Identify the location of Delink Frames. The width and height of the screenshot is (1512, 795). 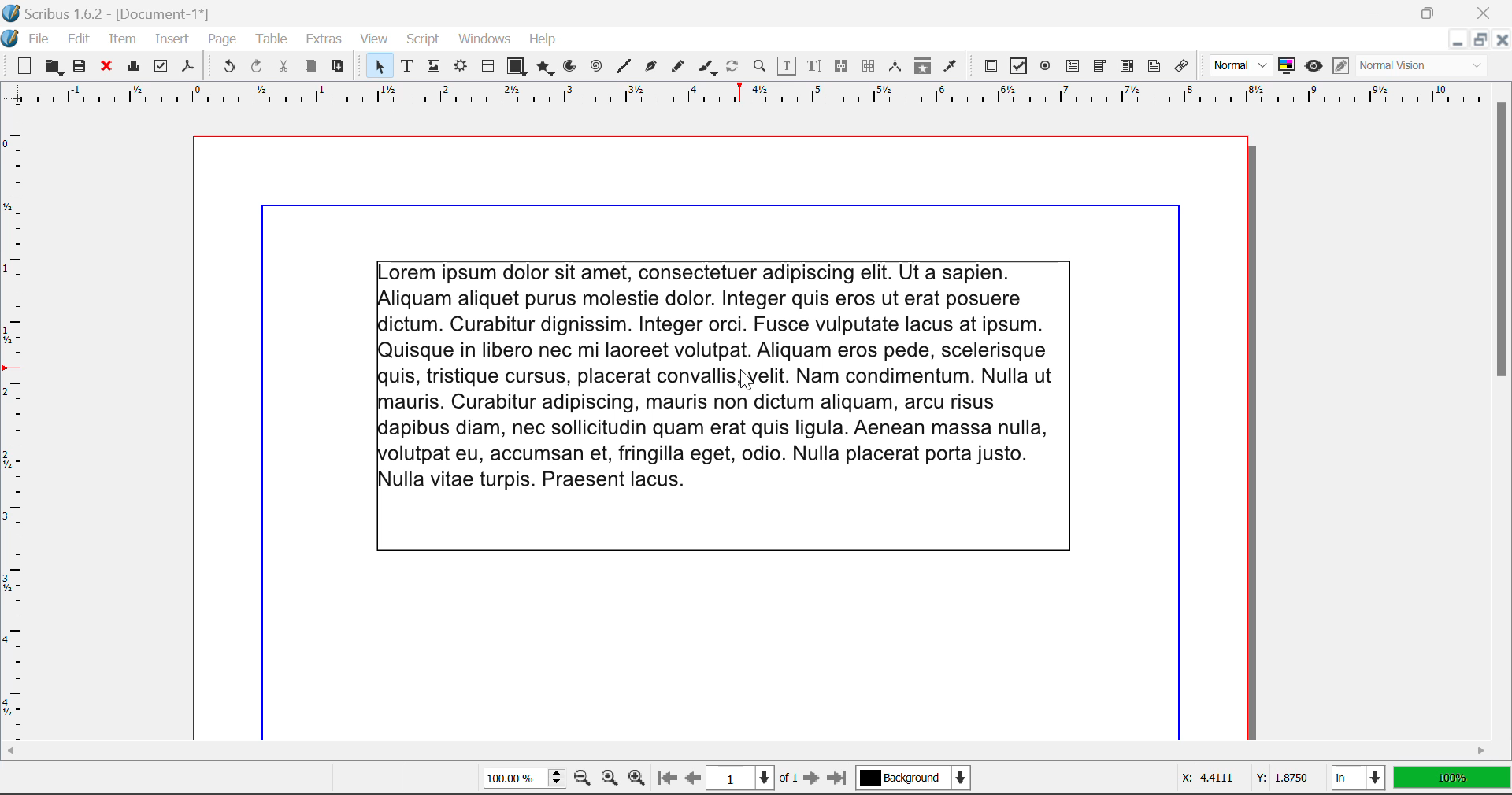
(869, 66).